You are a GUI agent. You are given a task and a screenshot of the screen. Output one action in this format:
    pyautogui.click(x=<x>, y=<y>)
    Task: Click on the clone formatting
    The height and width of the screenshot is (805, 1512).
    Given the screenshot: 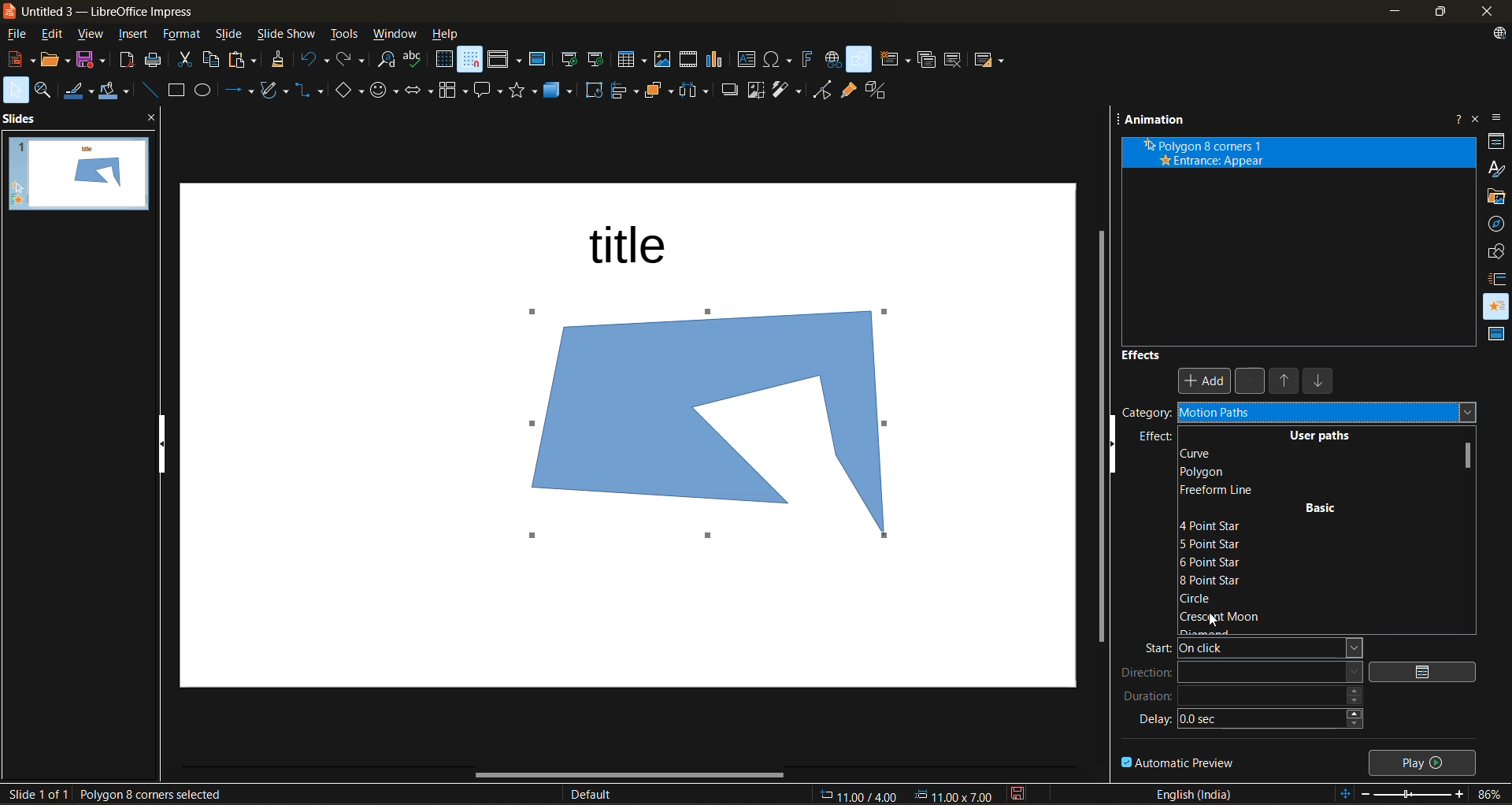 What is the action you would take?
    pyautogui.click(x=279, y=61)
    